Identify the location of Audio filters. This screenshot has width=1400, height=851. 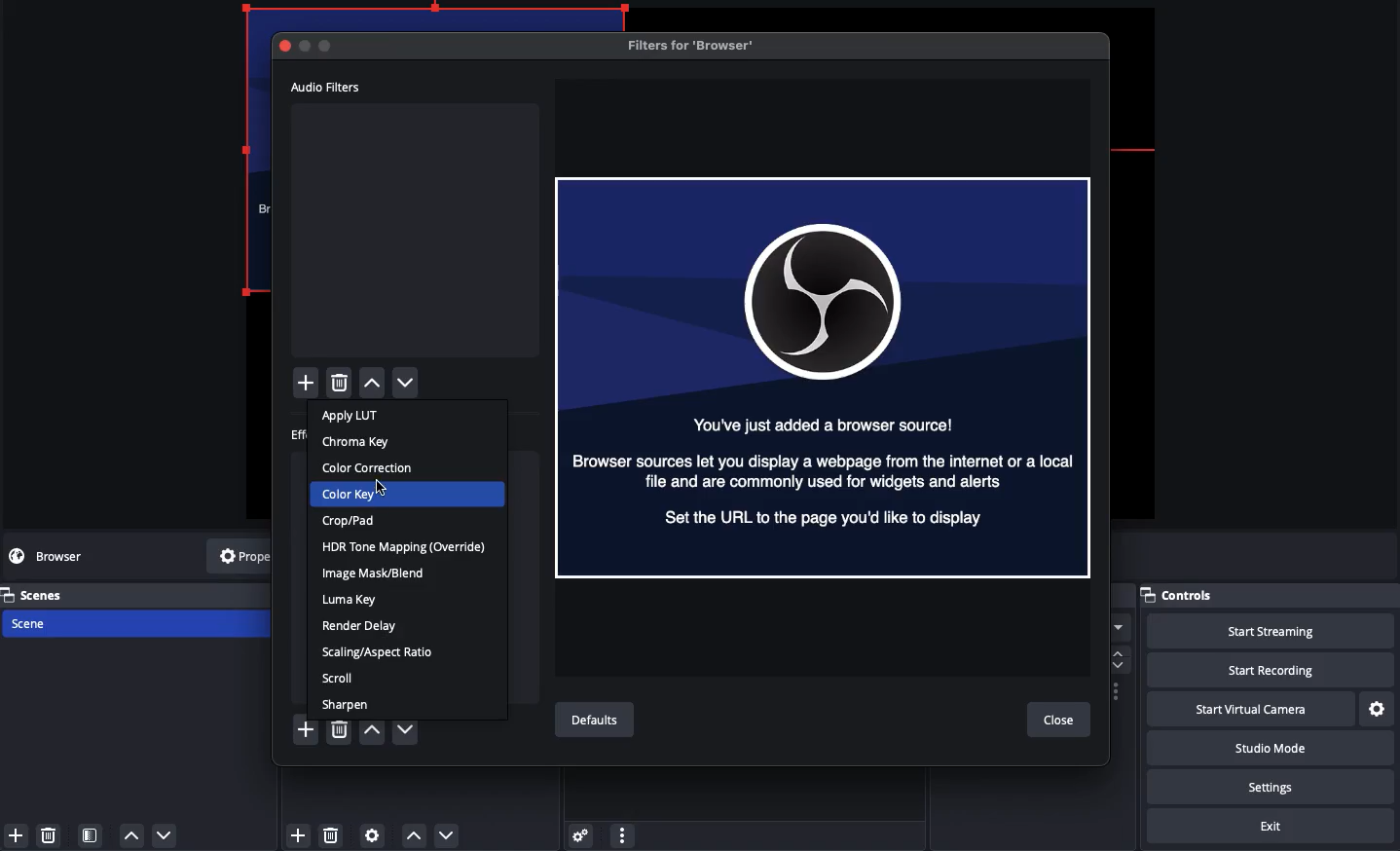
(327, 87).